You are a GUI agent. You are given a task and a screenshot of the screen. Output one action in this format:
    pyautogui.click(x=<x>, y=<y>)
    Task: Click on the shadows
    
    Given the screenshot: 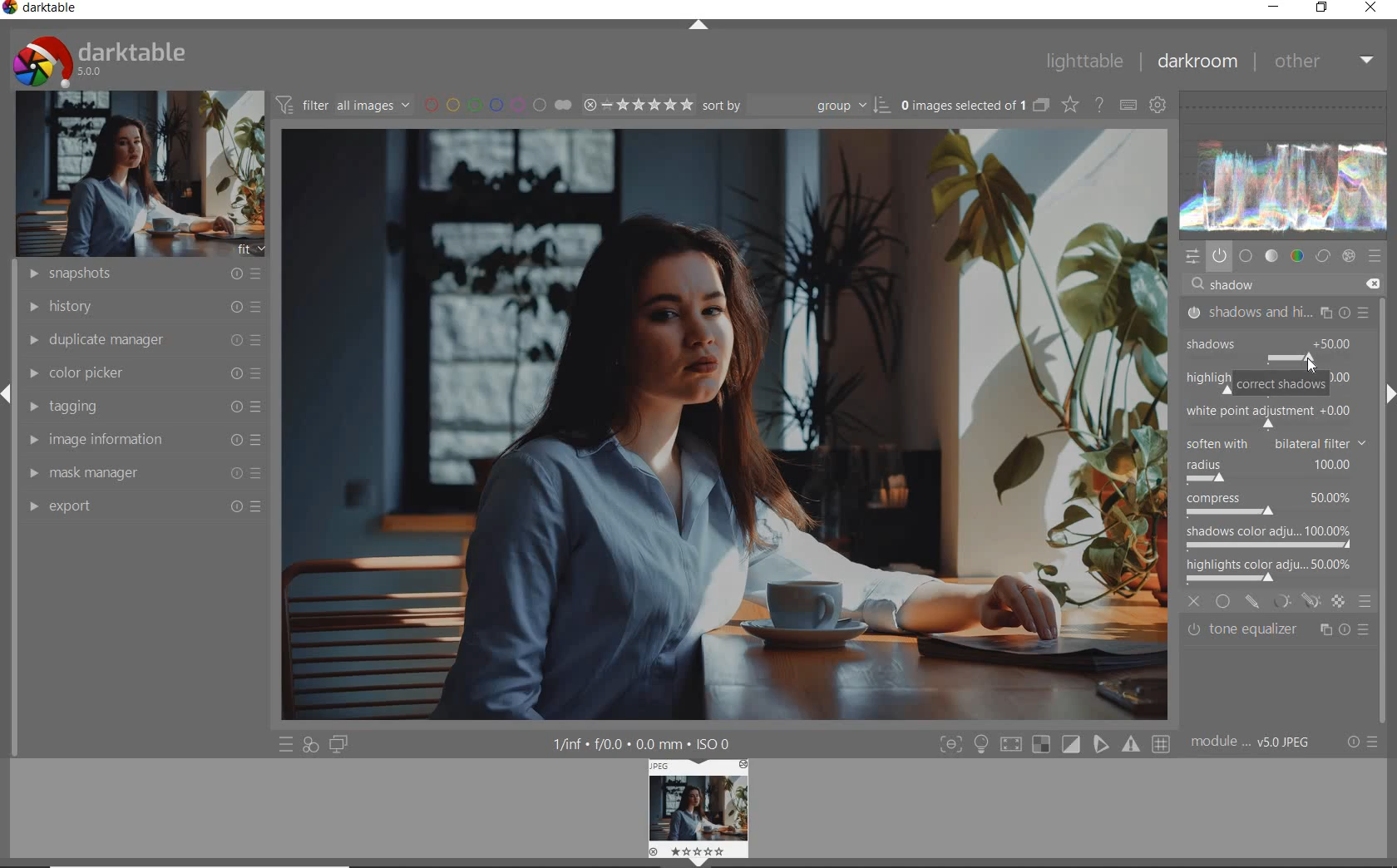 What is the action you would take?
    pyautogui.click(x=1254, y=340)
    